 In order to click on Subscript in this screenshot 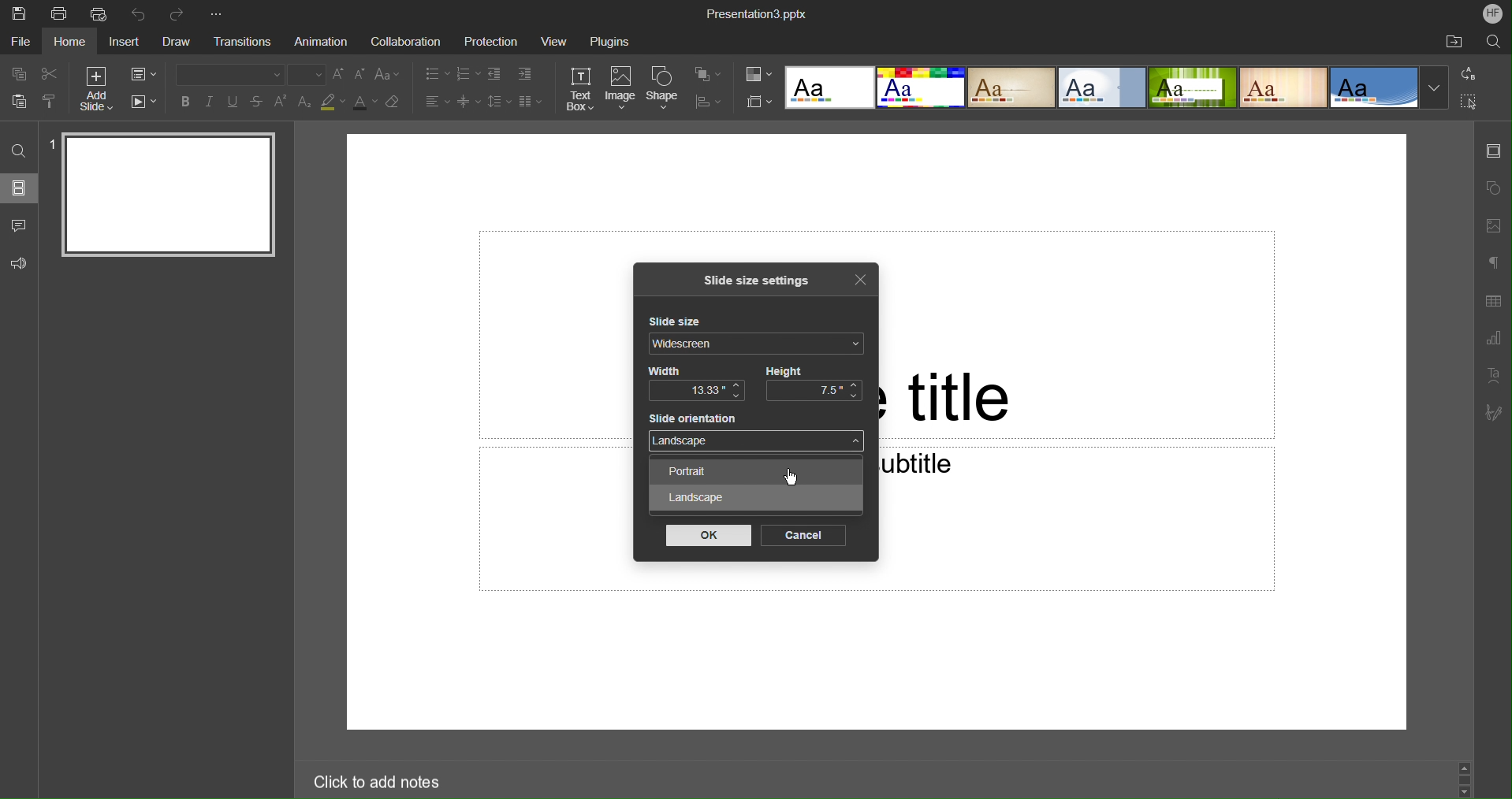, I will do `click(304, 102)`.